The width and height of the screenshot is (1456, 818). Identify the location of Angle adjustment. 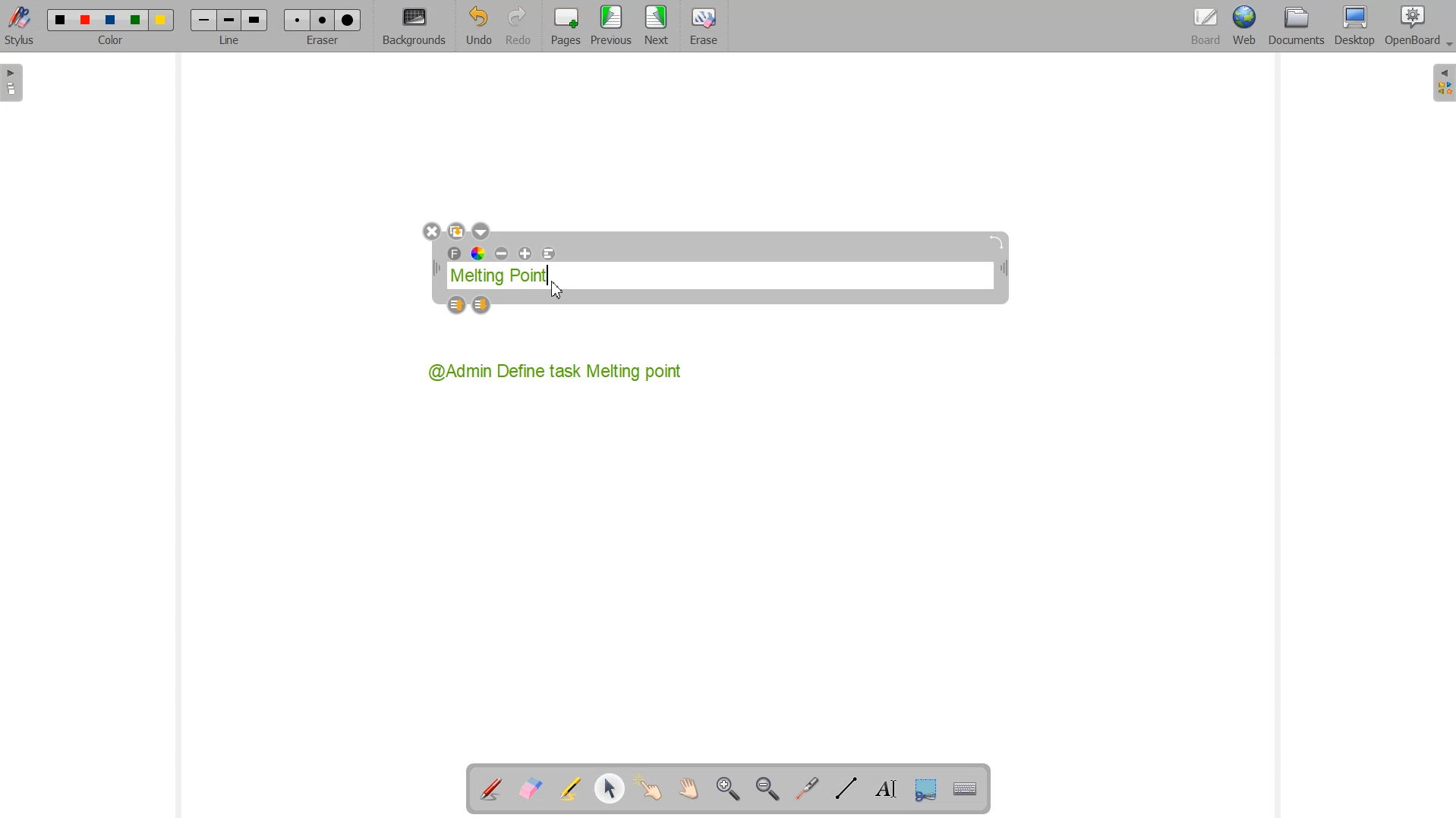
(998, 242).